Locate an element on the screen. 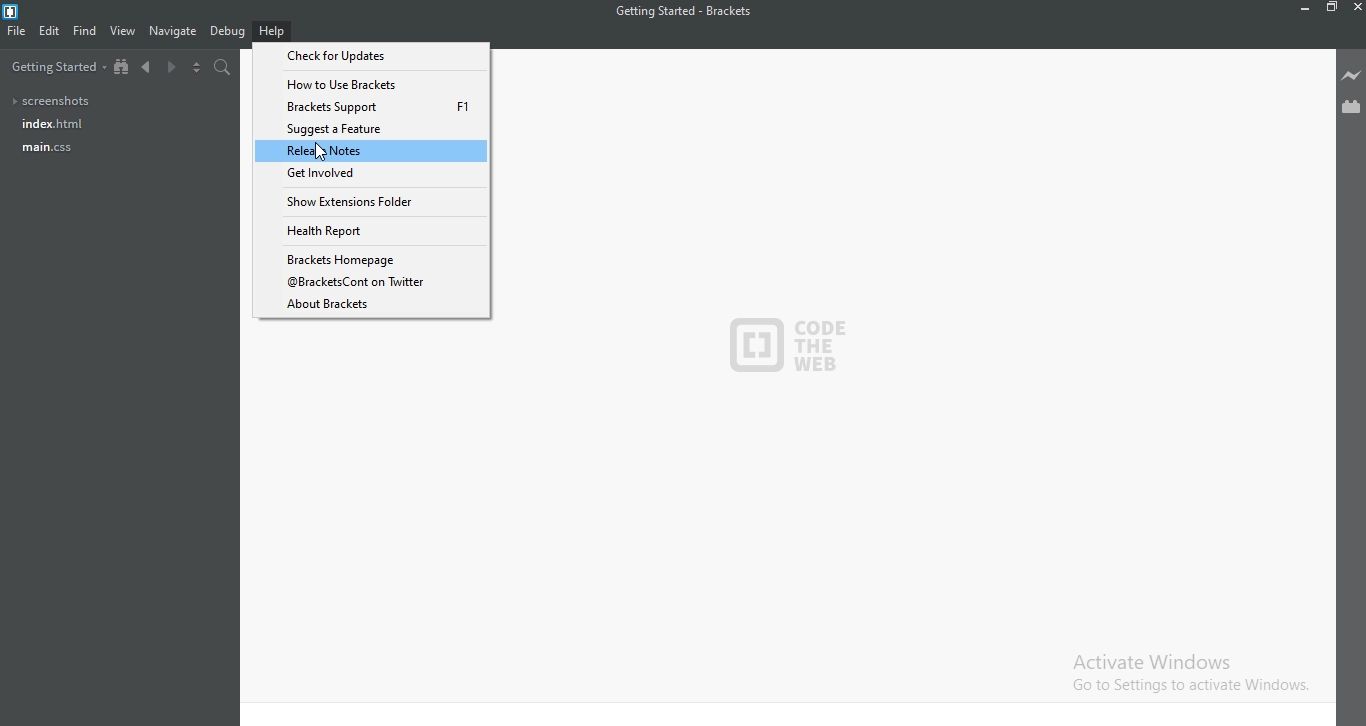 The height and width of the screenshot is (726, 1366). Show Extensions Folder is located at coordinates (376, 203).